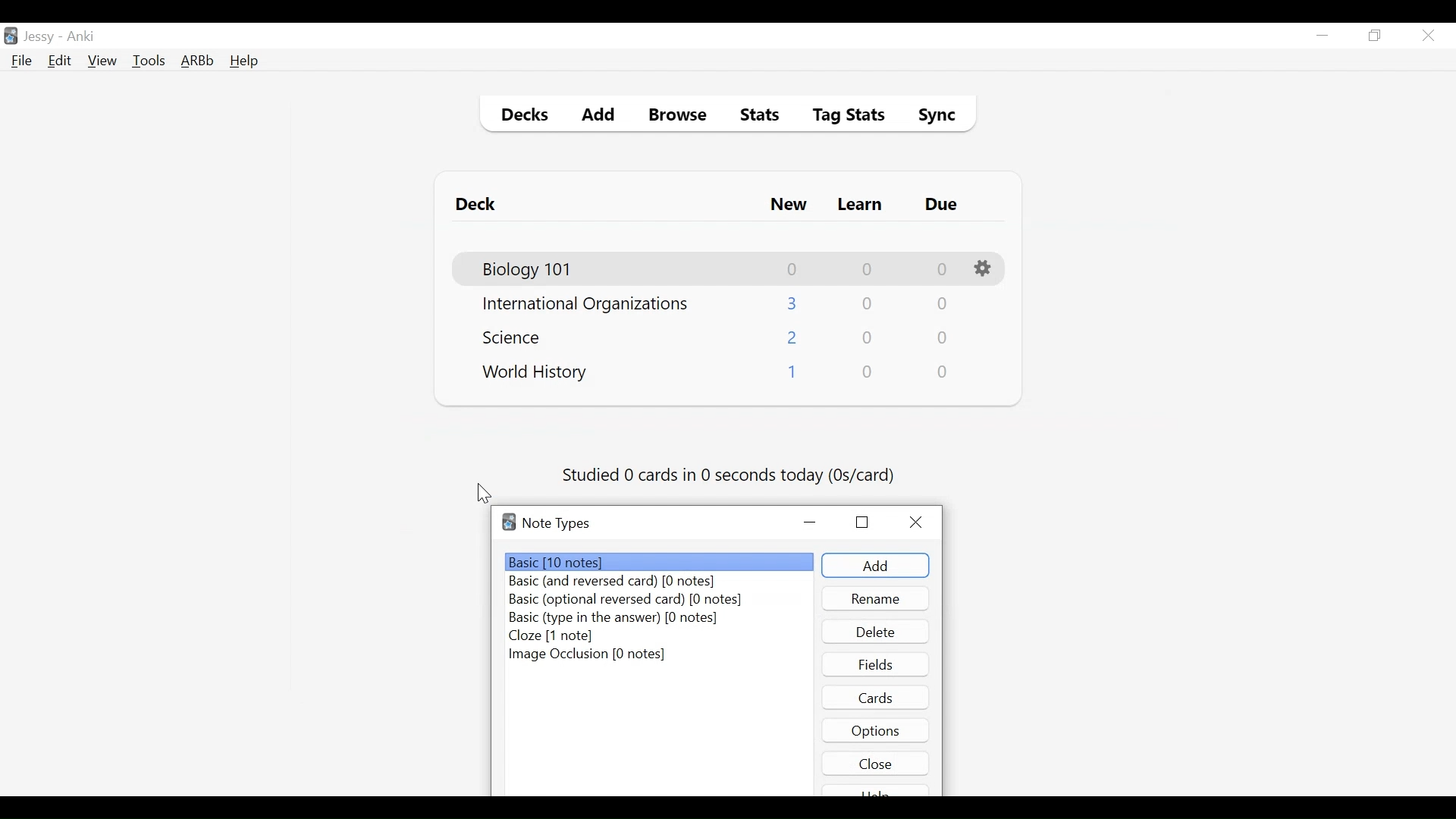  What do you see at coordinates (943, 339) in the screenshot?
I see `Due Card Count` at bounding box center [943, 339].